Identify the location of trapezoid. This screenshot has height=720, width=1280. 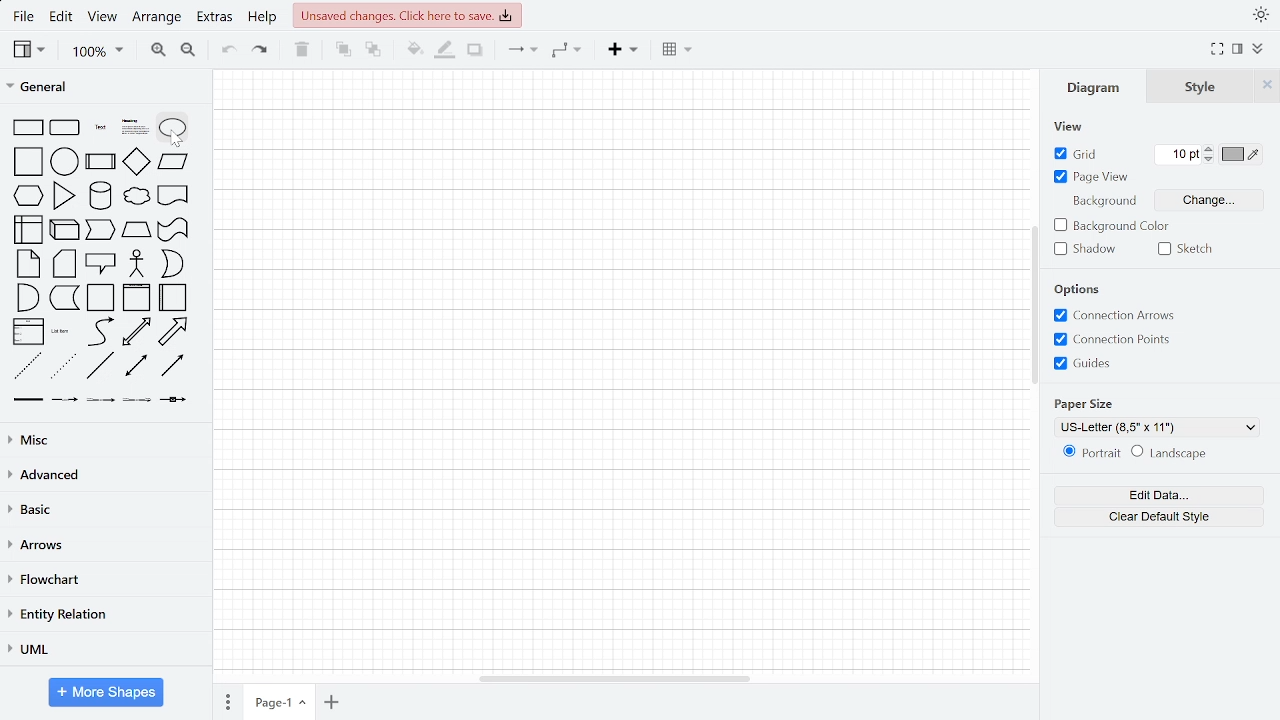
(137, 230).